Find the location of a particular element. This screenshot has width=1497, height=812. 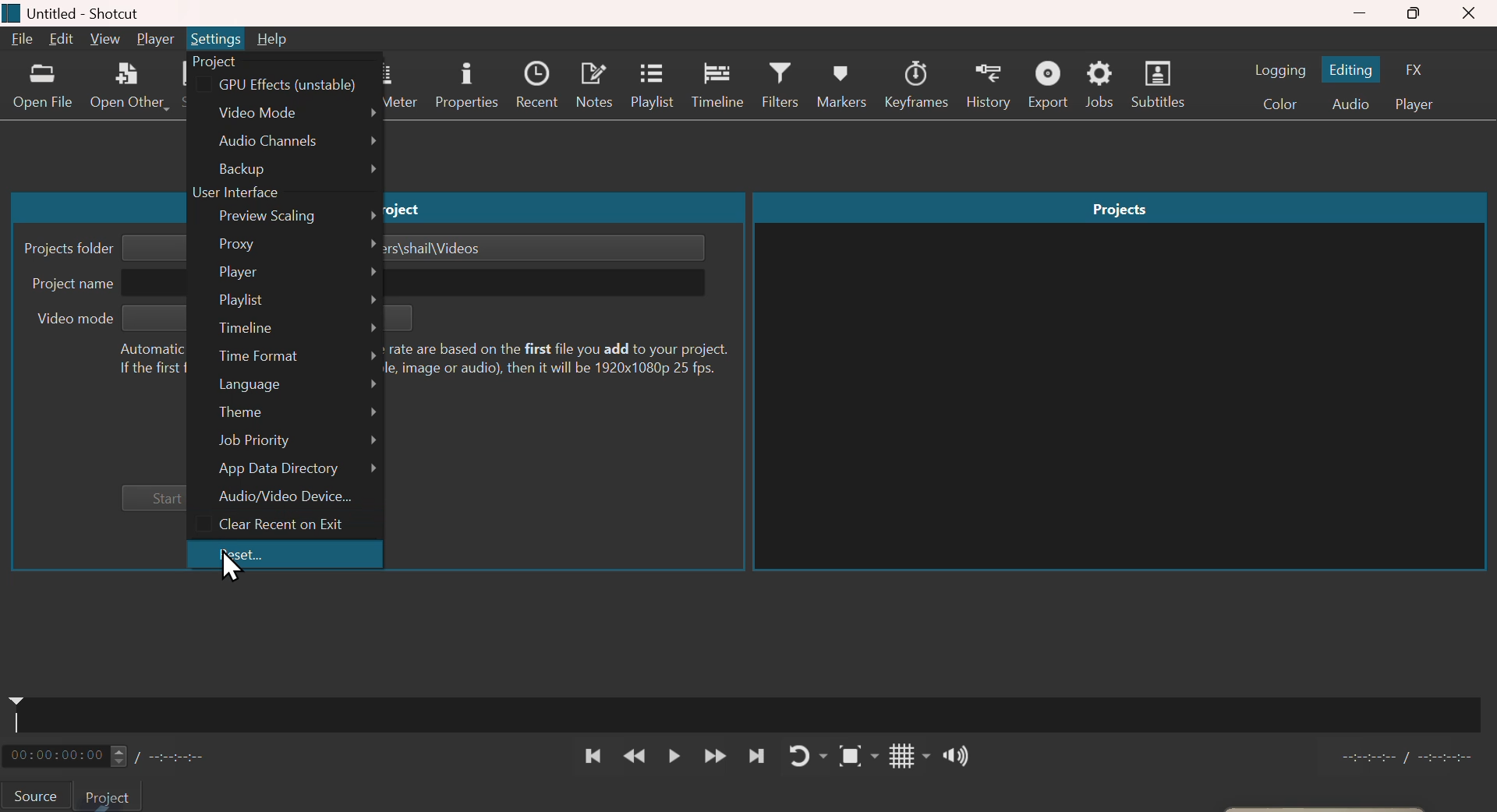

Grid lines is located at coordinates (894, 757).